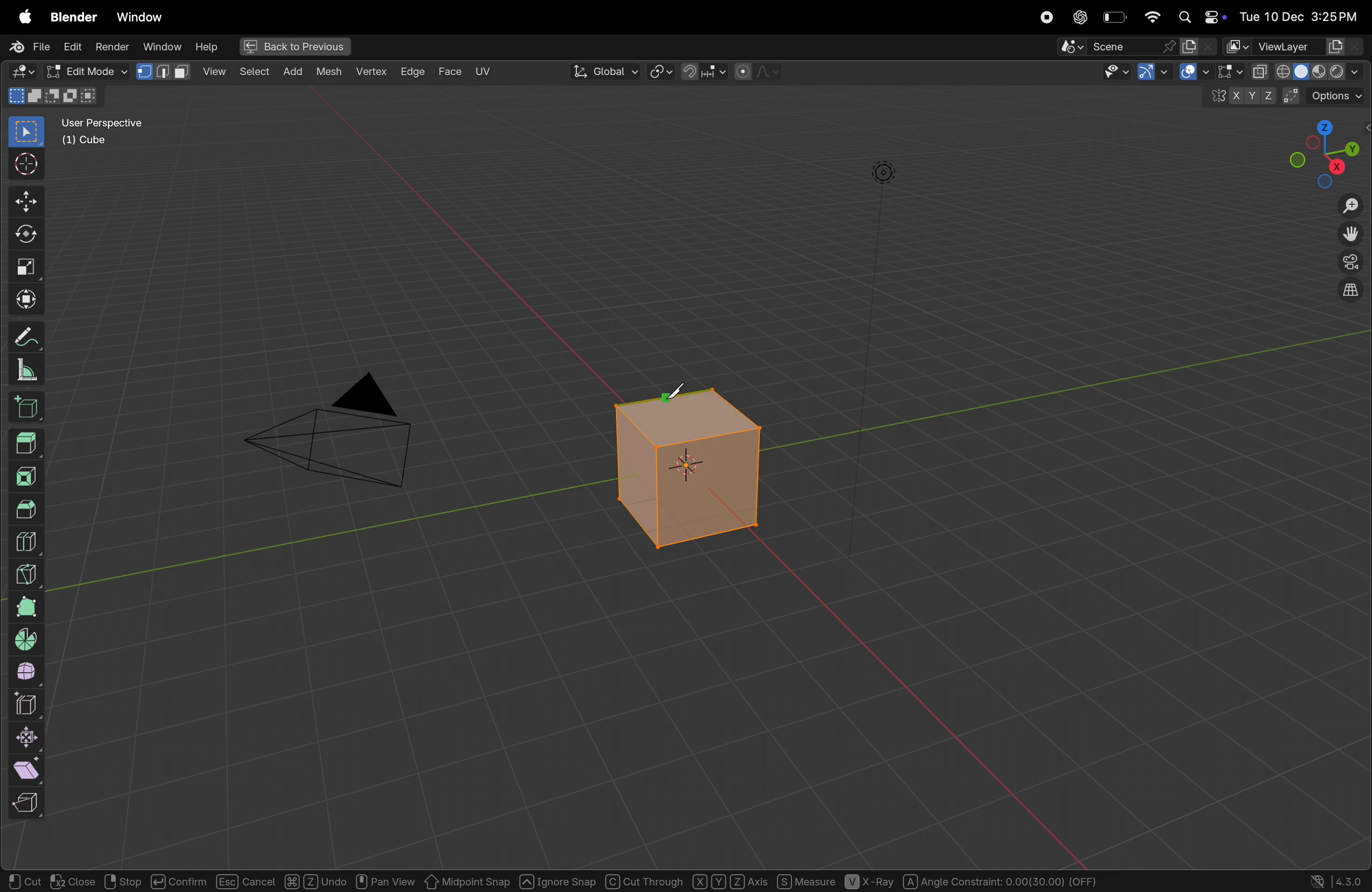 This screenshot has width=1372, height=892. I want to click on mode, so click(55, 96).